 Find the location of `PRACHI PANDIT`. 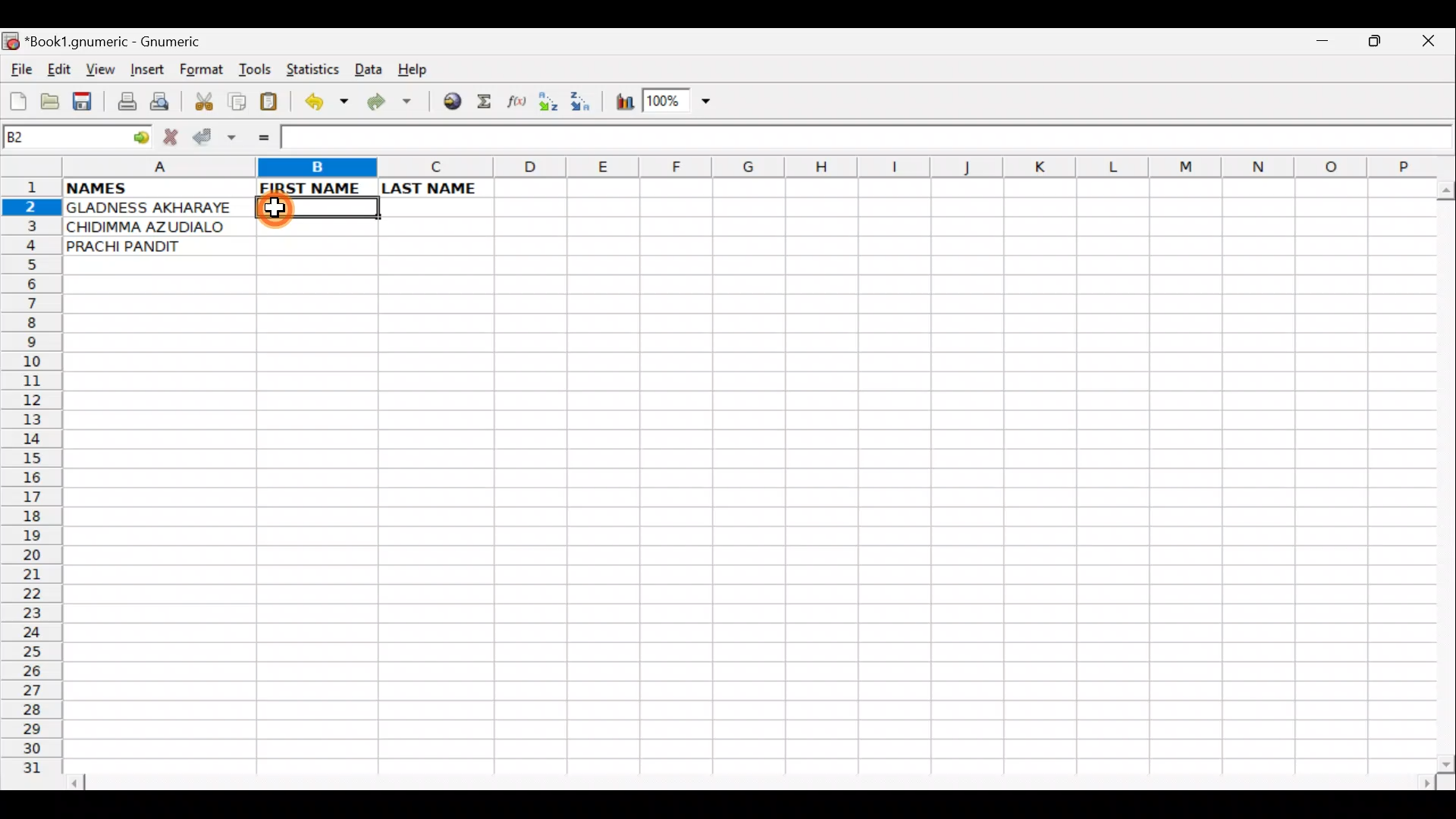

PRACHI PANDIT is located at coordinates (147, 247).